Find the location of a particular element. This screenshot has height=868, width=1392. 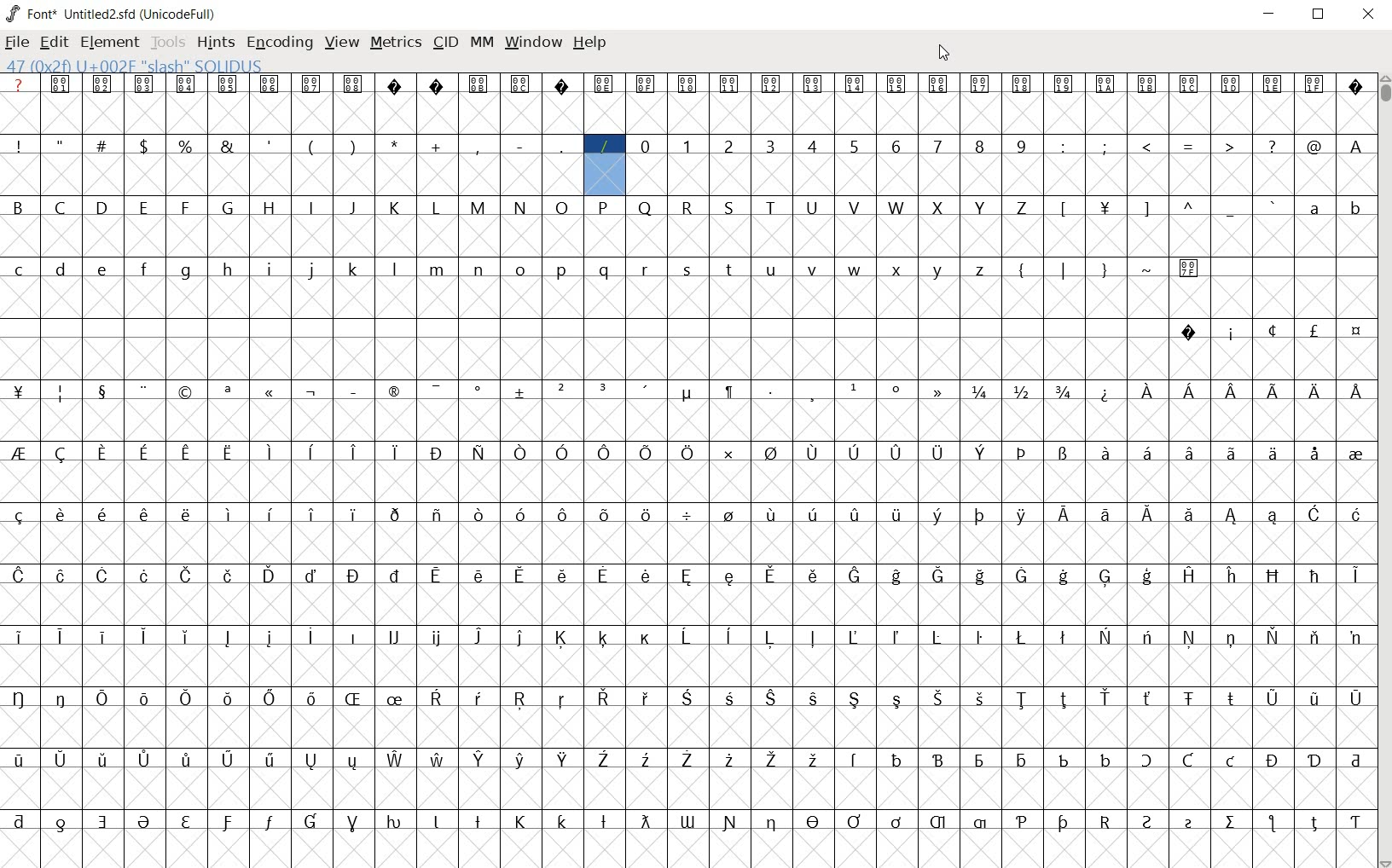

glyph is located at coordinates (936, 516).